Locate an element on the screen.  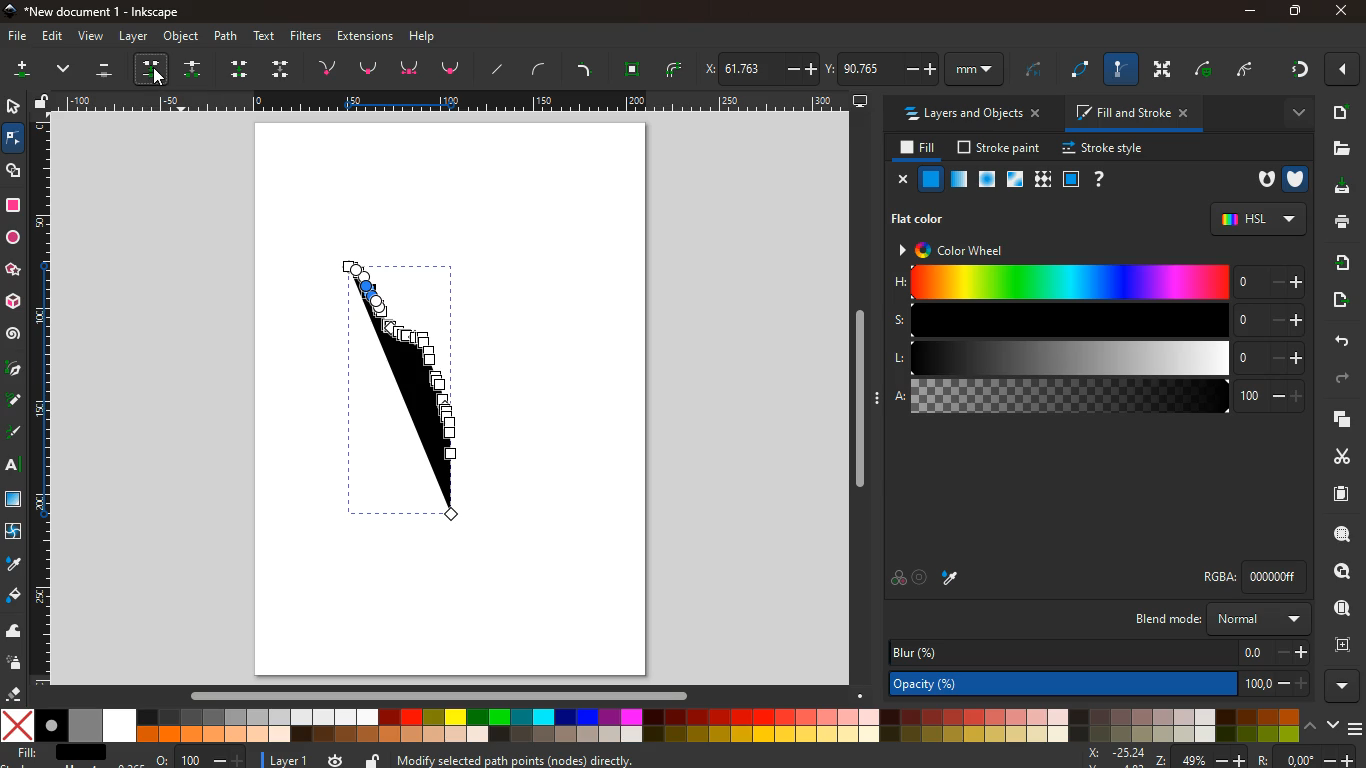
flat color is located at coordinates (925, 218).